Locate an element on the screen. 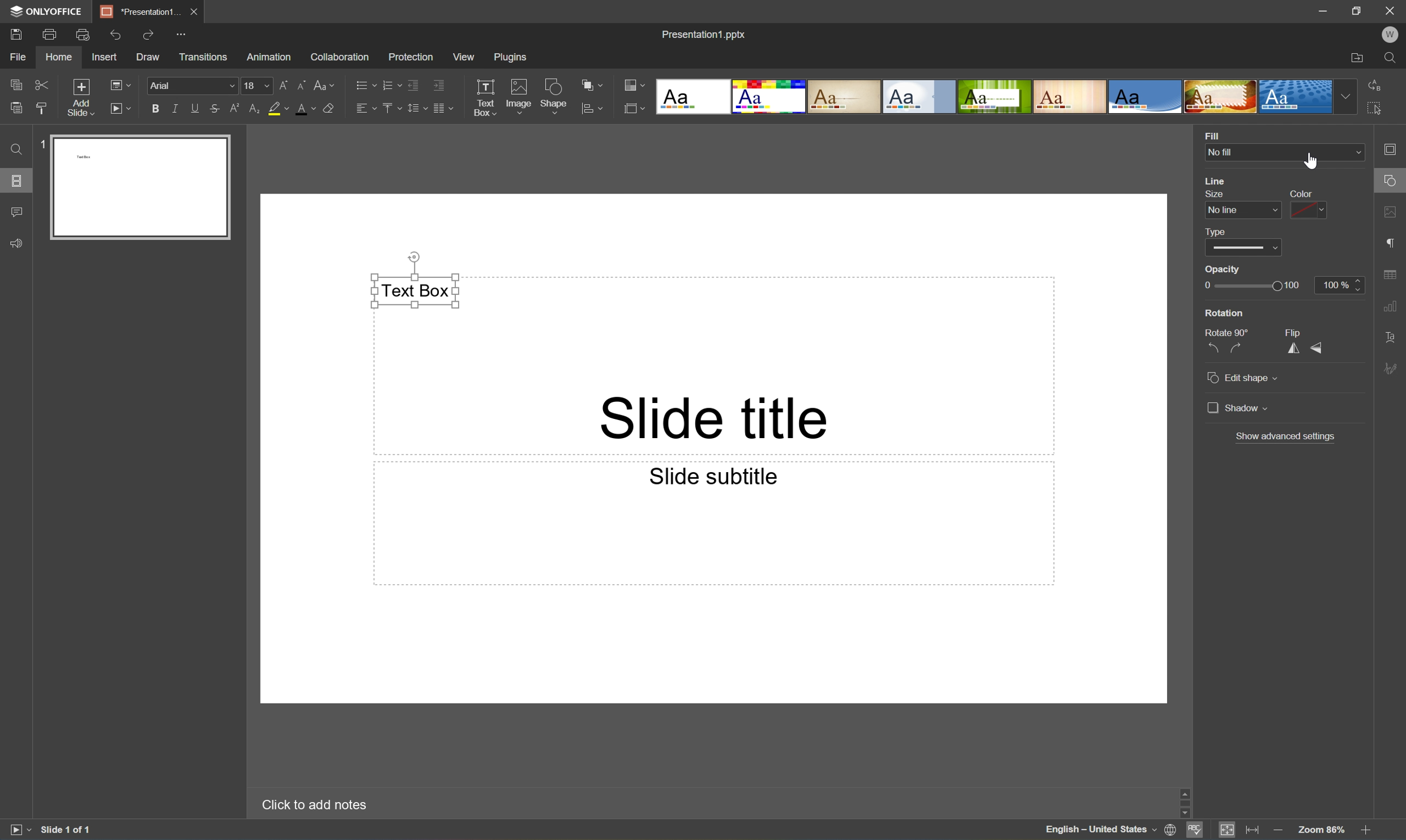 This screenshot has width=1406, height=840. Home is located at coordinates (60, 57).